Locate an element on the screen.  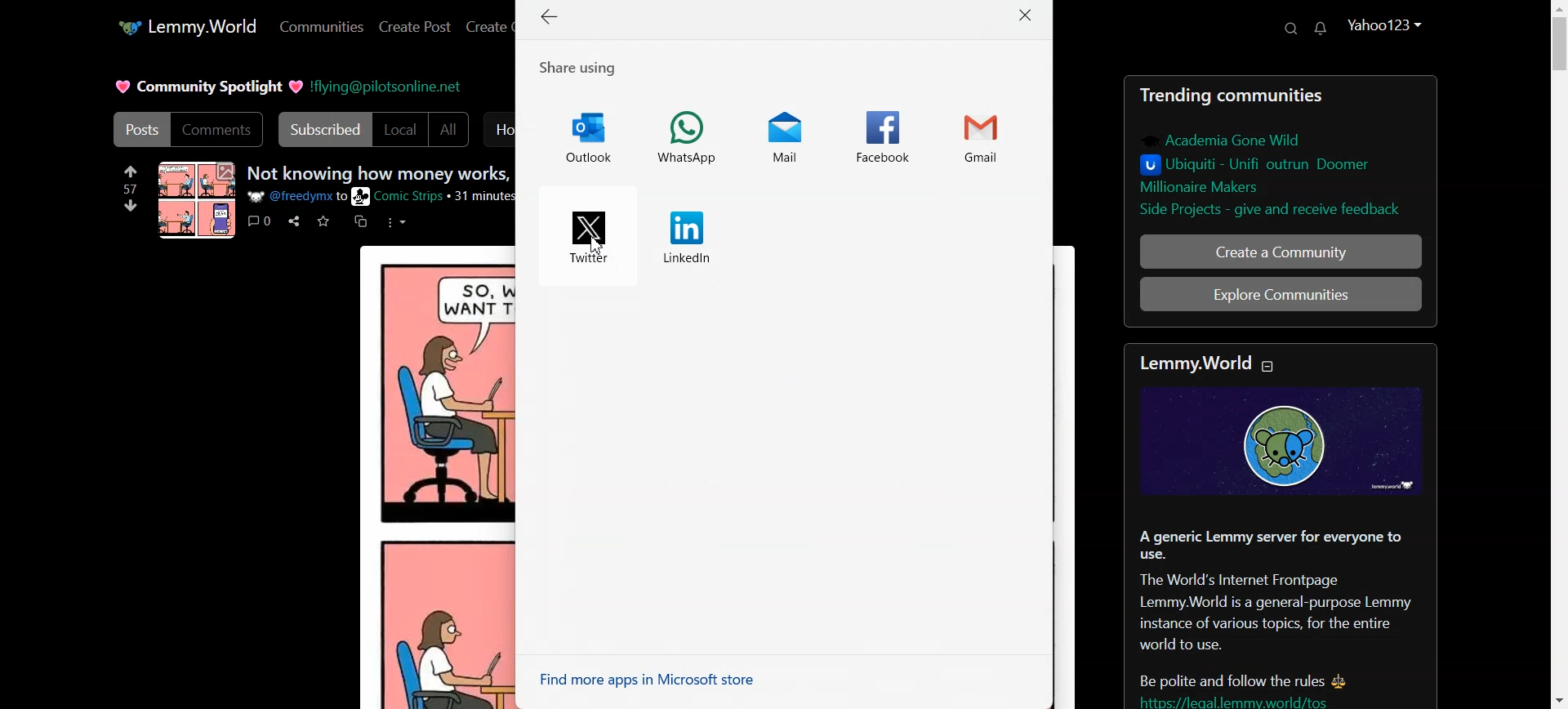
Comments is located at coordinates (218, 130).